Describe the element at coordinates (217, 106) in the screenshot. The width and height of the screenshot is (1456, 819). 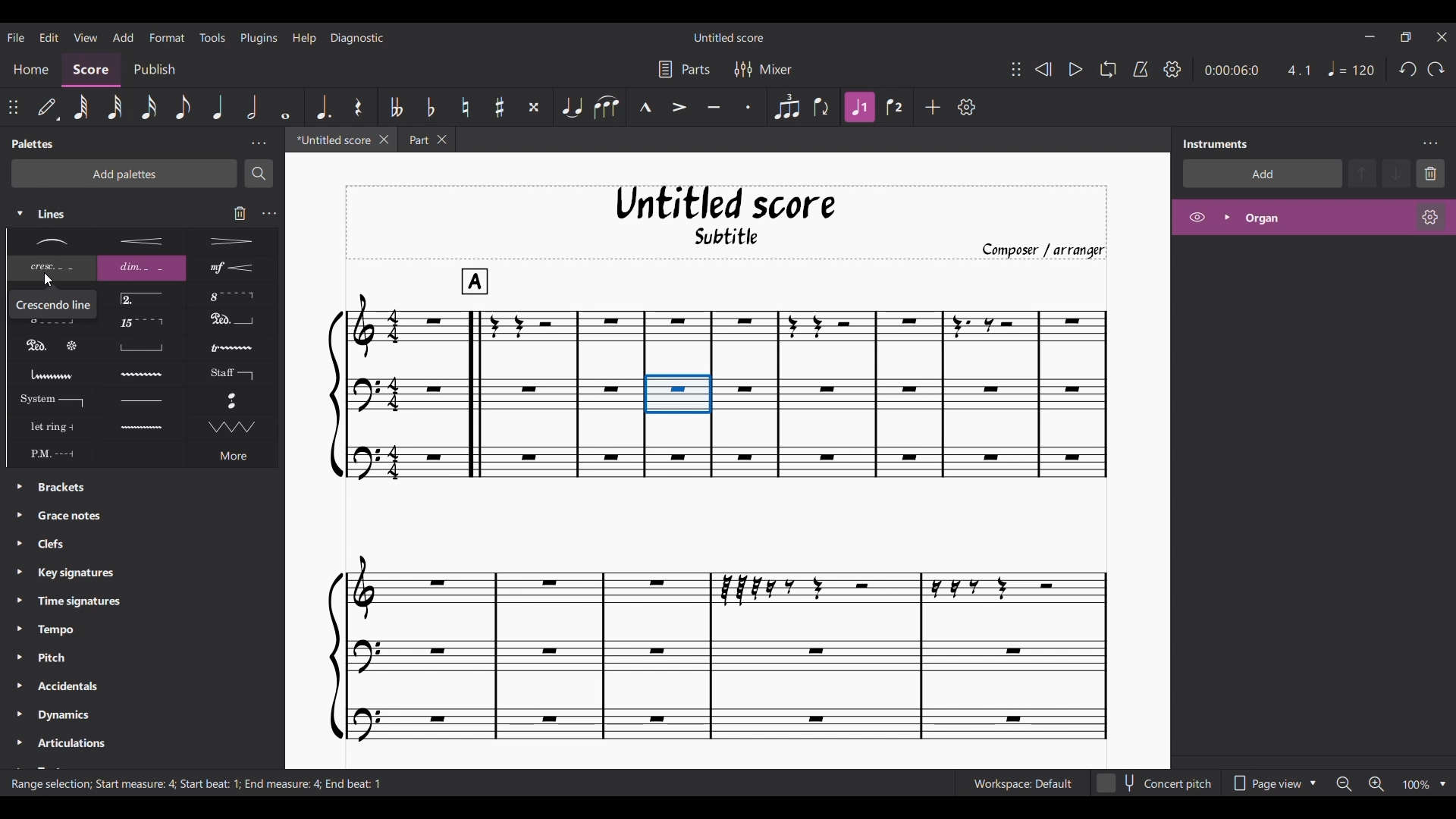
I see `Quarter note` at that location.